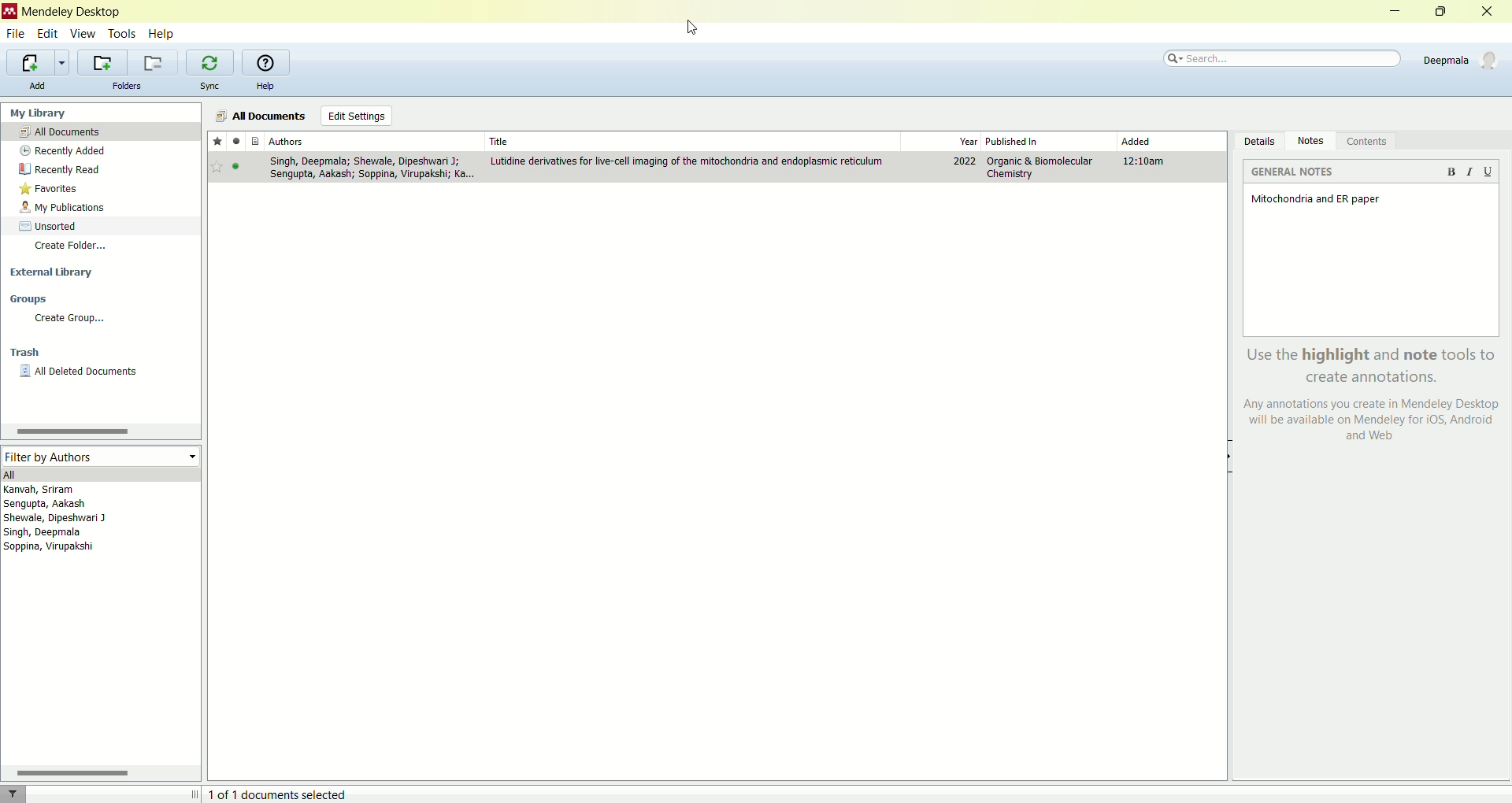  Describe the element at coordinates (39, 61) in the screenshot. I see `import additional documents to the current collection` at that location.